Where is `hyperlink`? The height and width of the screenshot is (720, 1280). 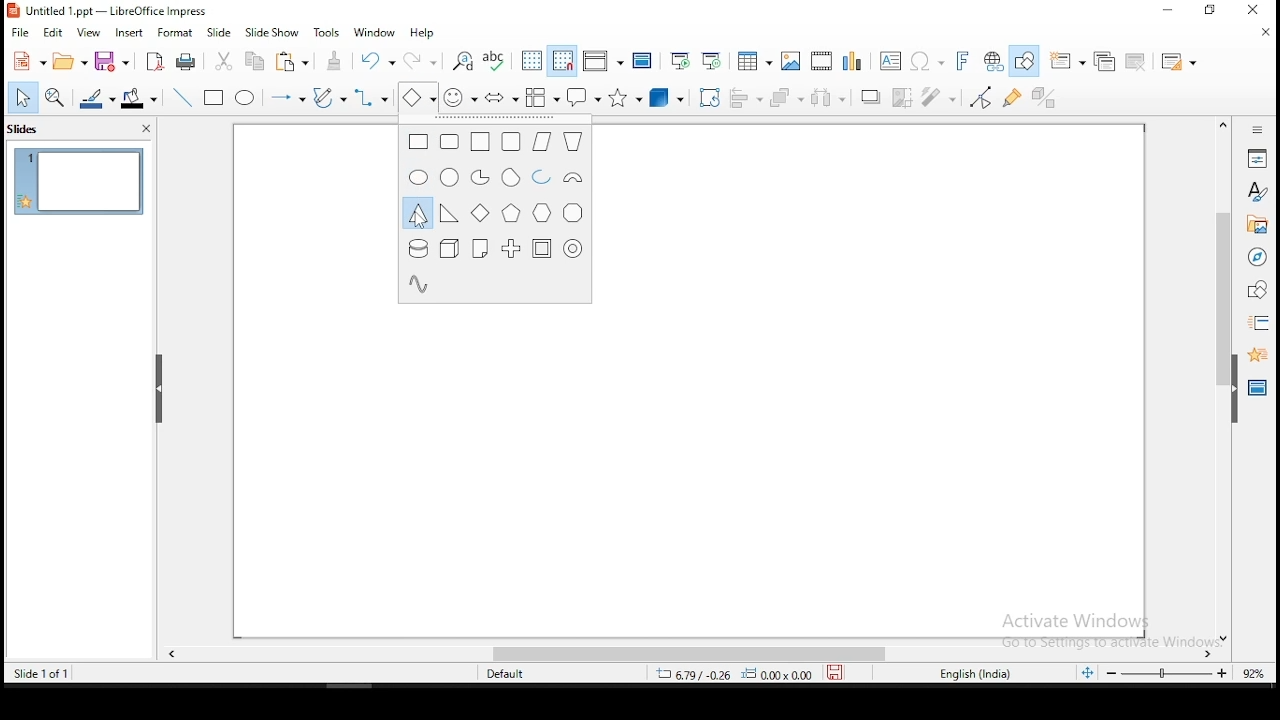 hyperlink is located at coordinates (991, 60).